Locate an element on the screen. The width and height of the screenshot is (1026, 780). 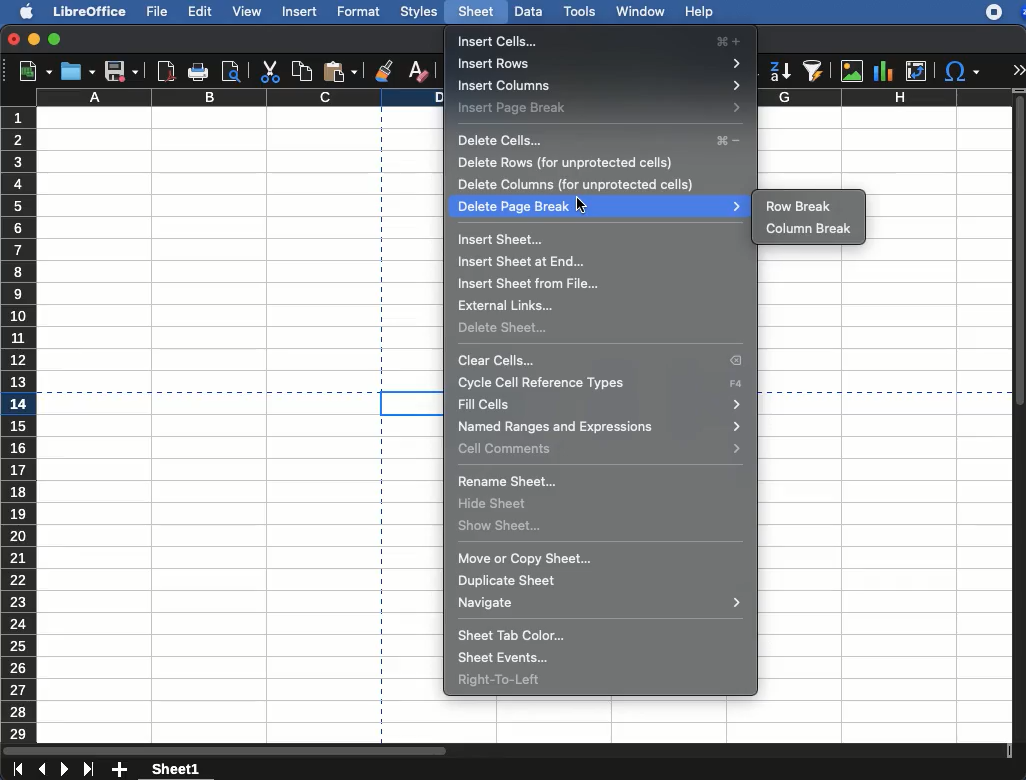
insert sheet at end is located at coordinates (523, 261).